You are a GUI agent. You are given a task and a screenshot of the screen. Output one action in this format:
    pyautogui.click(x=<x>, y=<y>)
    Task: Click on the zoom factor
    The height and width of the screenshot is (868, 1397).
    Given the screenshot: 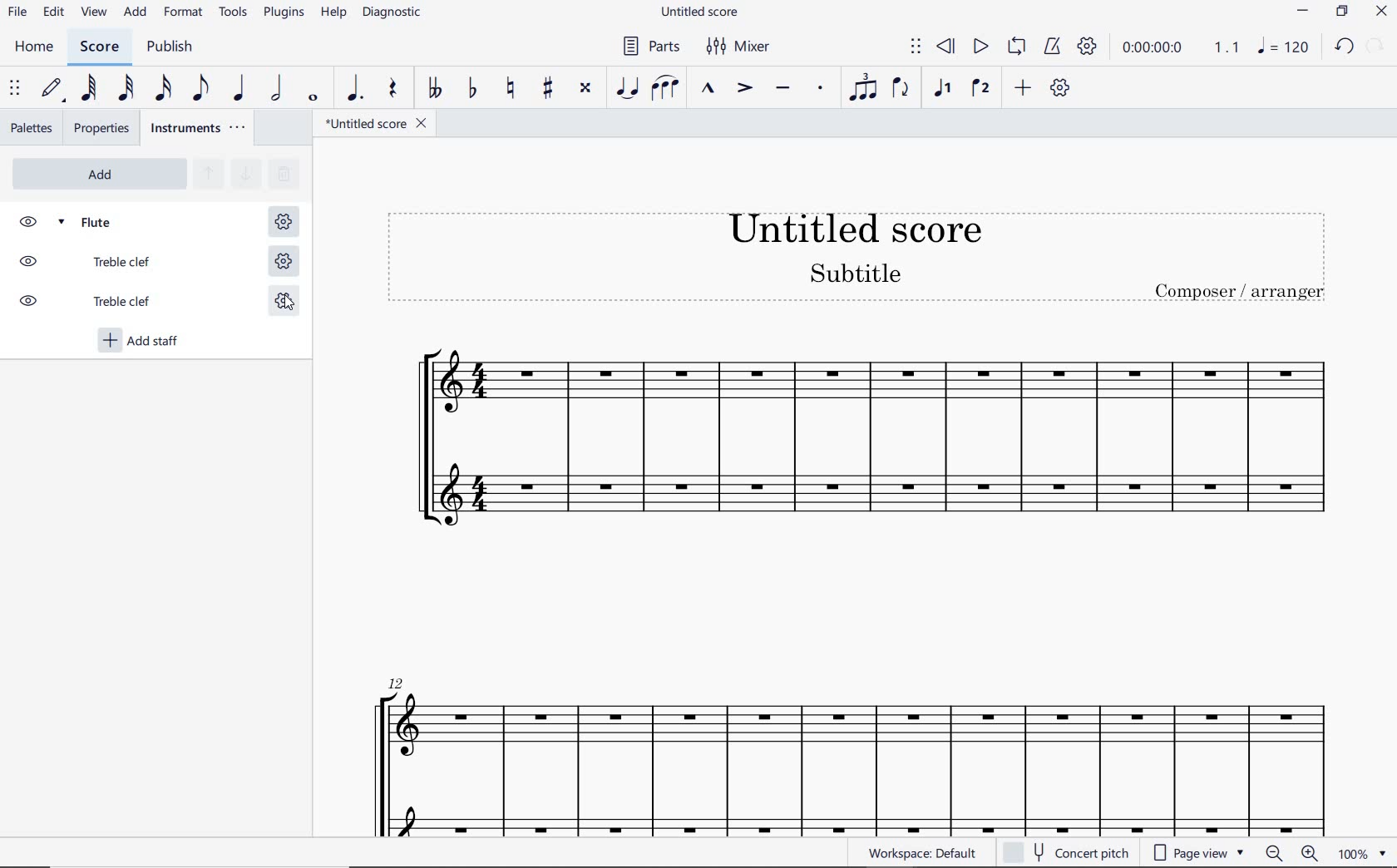 What is the action you would take?
    pyautogui.click(x=1360, y=854)
    